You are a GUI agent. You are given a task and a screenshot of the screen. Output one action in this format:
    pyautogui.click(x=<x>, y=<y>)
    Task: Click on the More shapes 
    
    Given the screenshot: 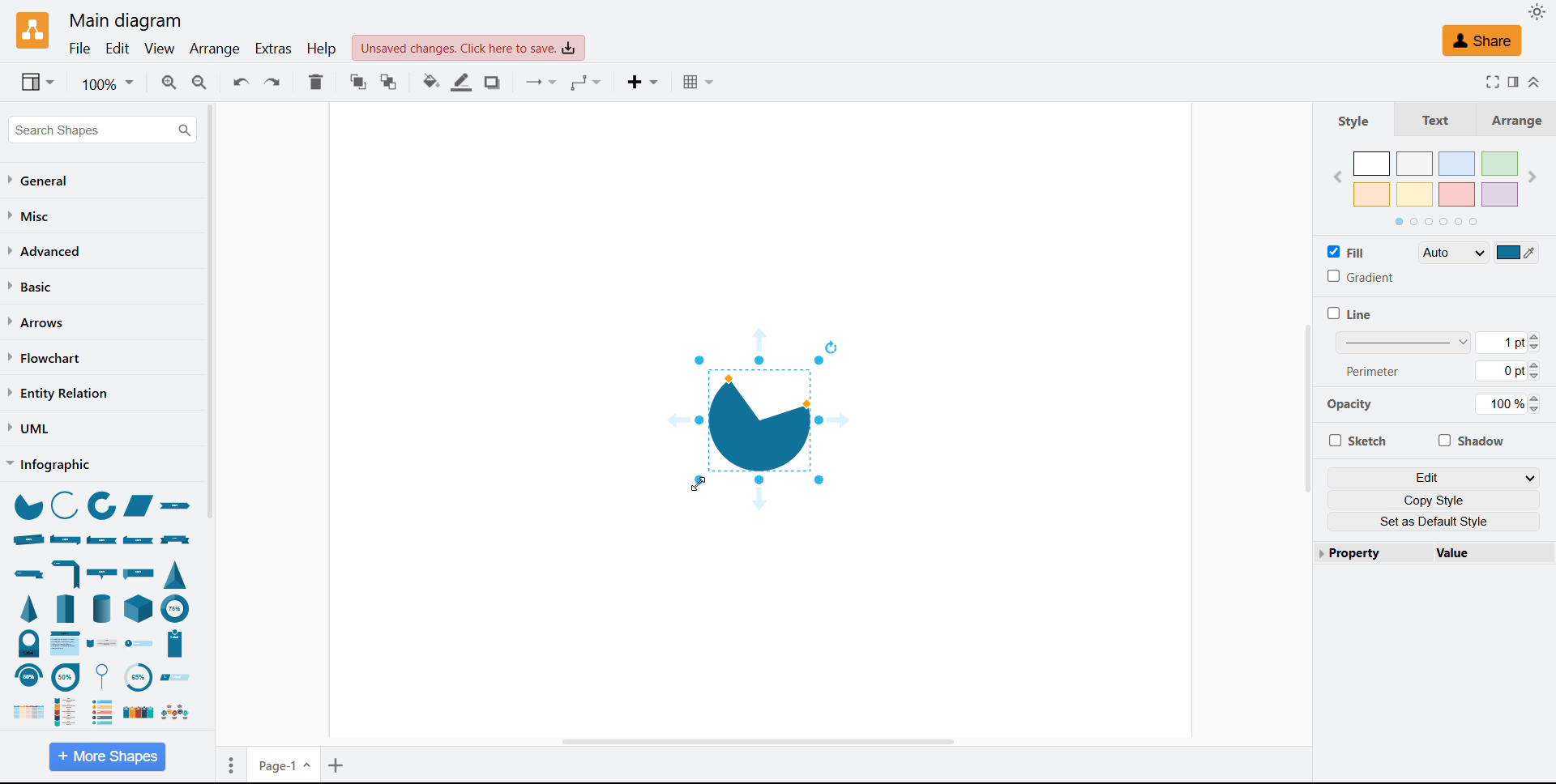 What is the action you would take?
    pyautogui.click(x=107, y=756)
    